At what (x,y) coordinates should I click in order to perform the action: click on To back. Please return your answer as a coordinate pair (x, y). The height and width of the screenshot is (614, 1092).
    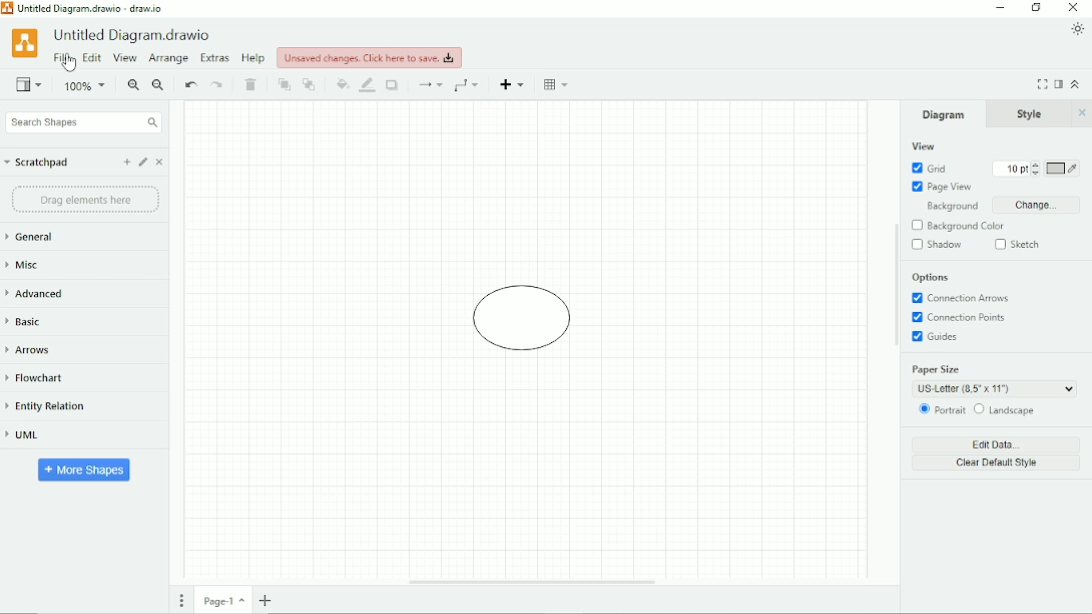
    Looking at the image, I should click on (309, 84).